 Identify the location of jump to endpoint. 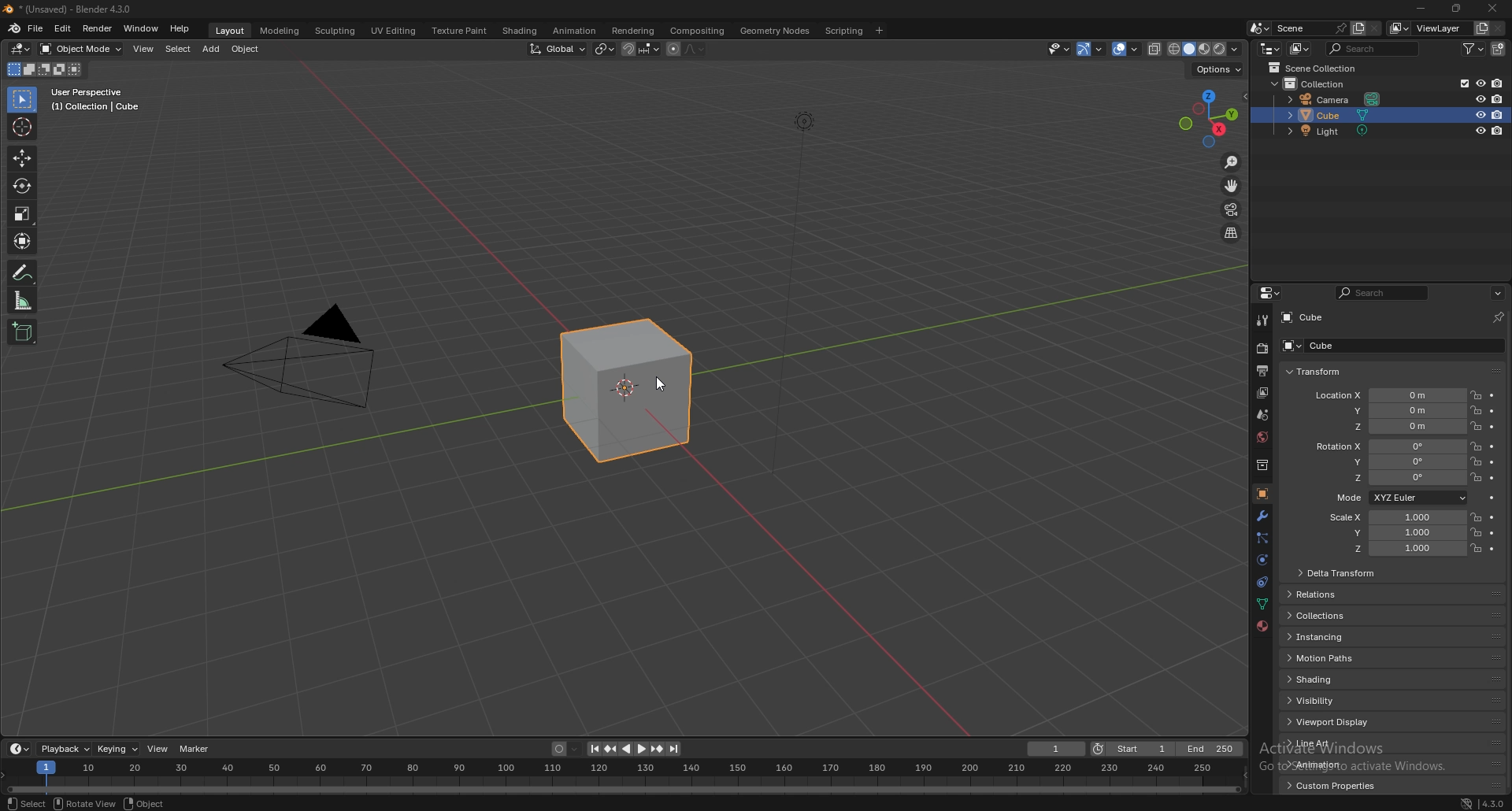
(594, 749).